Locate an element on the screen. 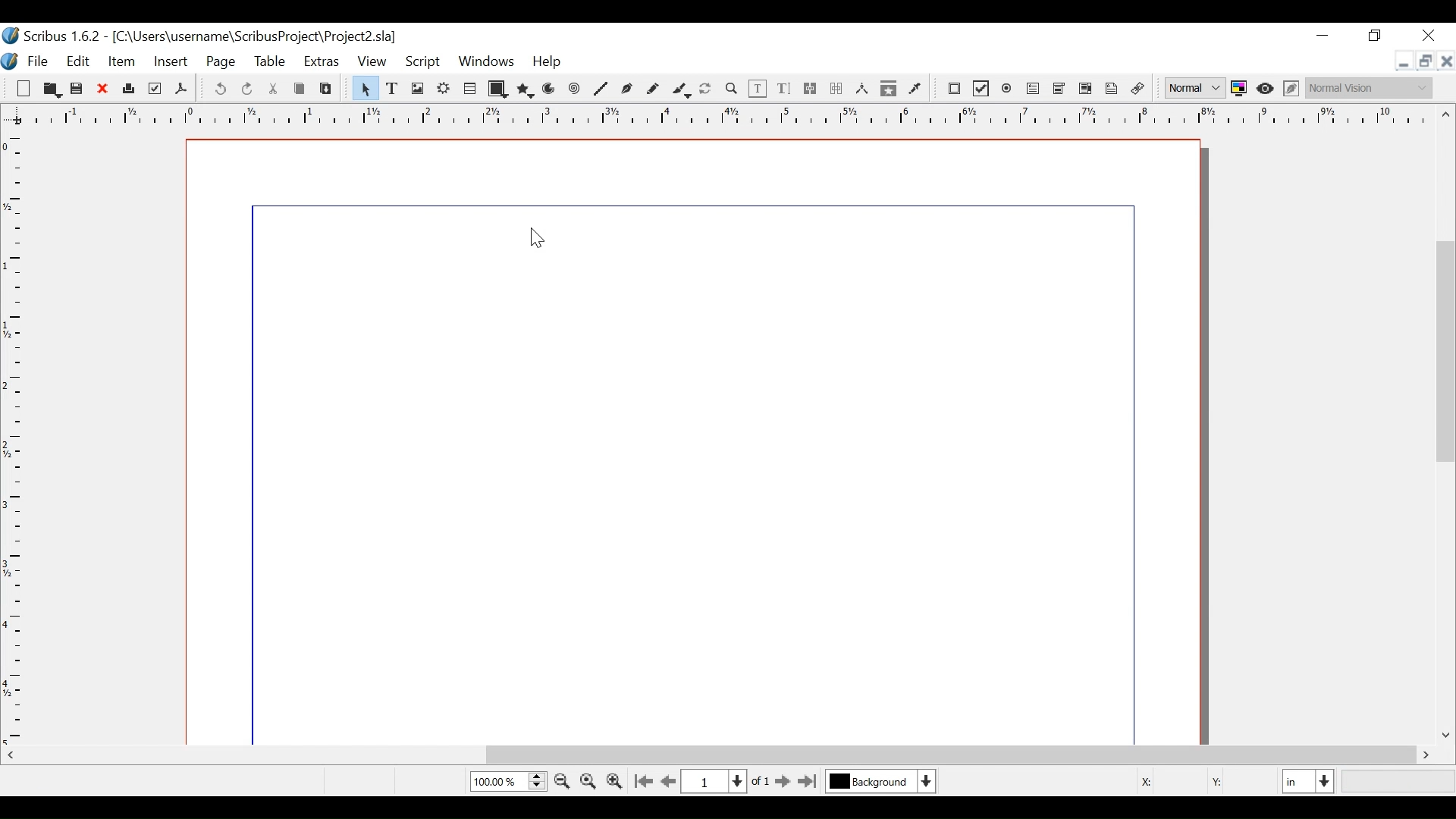 The height and width of the screenshot is (819, 1456). Cut is located at coordinates (272, 89).